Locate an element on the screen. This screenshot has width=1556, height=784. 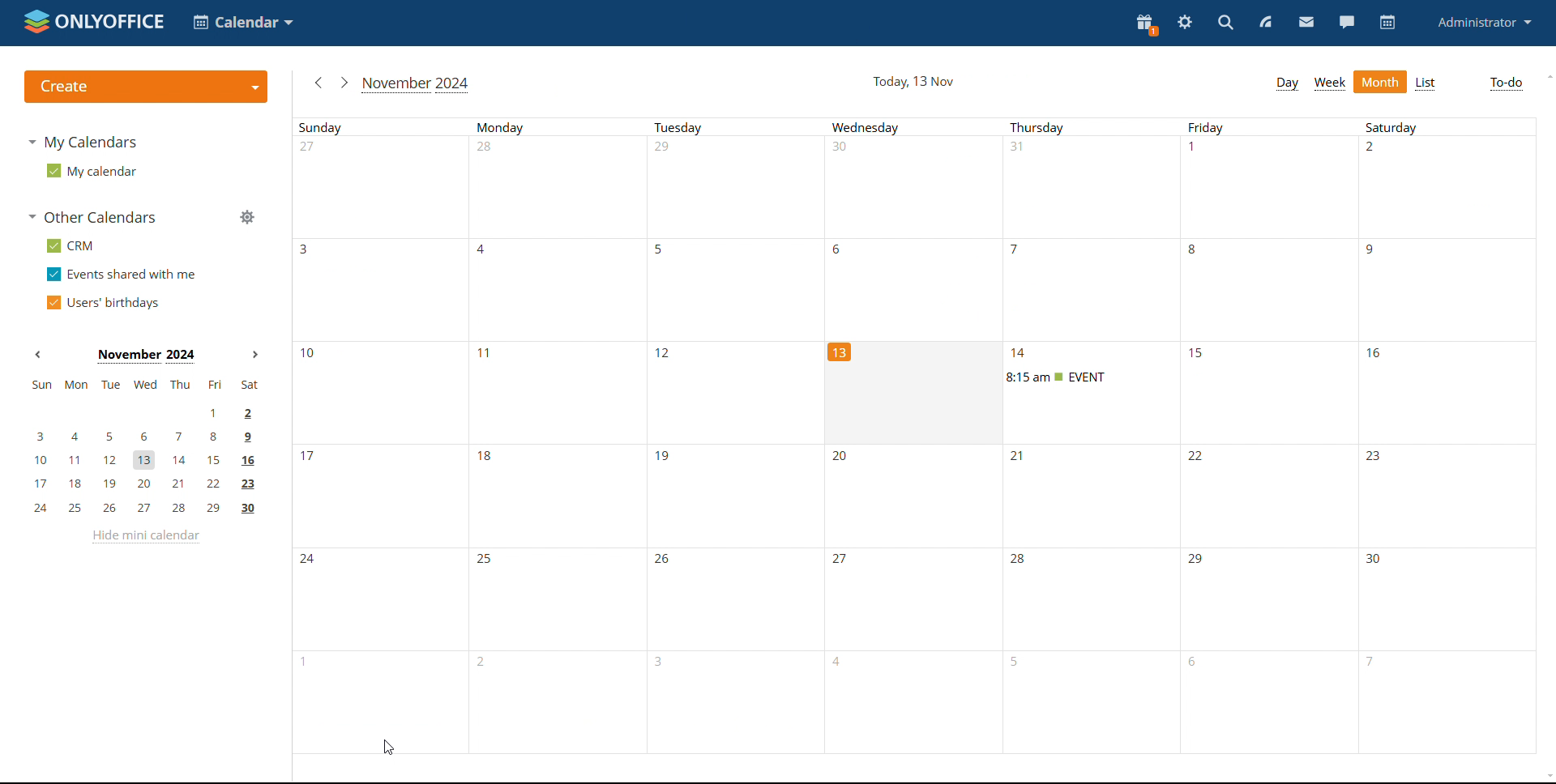
other calendars is located at coordinates (90, 217).